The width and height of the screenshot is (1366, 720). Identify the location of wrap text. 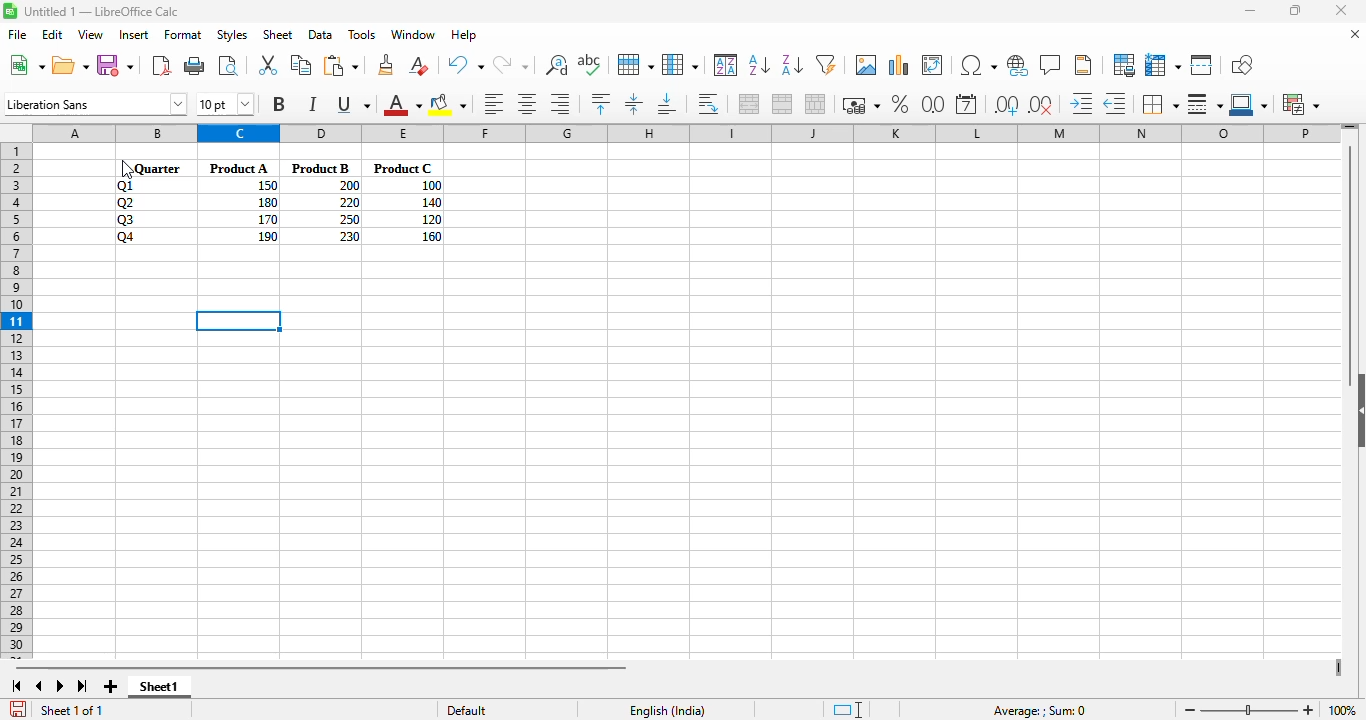
(709, 104).